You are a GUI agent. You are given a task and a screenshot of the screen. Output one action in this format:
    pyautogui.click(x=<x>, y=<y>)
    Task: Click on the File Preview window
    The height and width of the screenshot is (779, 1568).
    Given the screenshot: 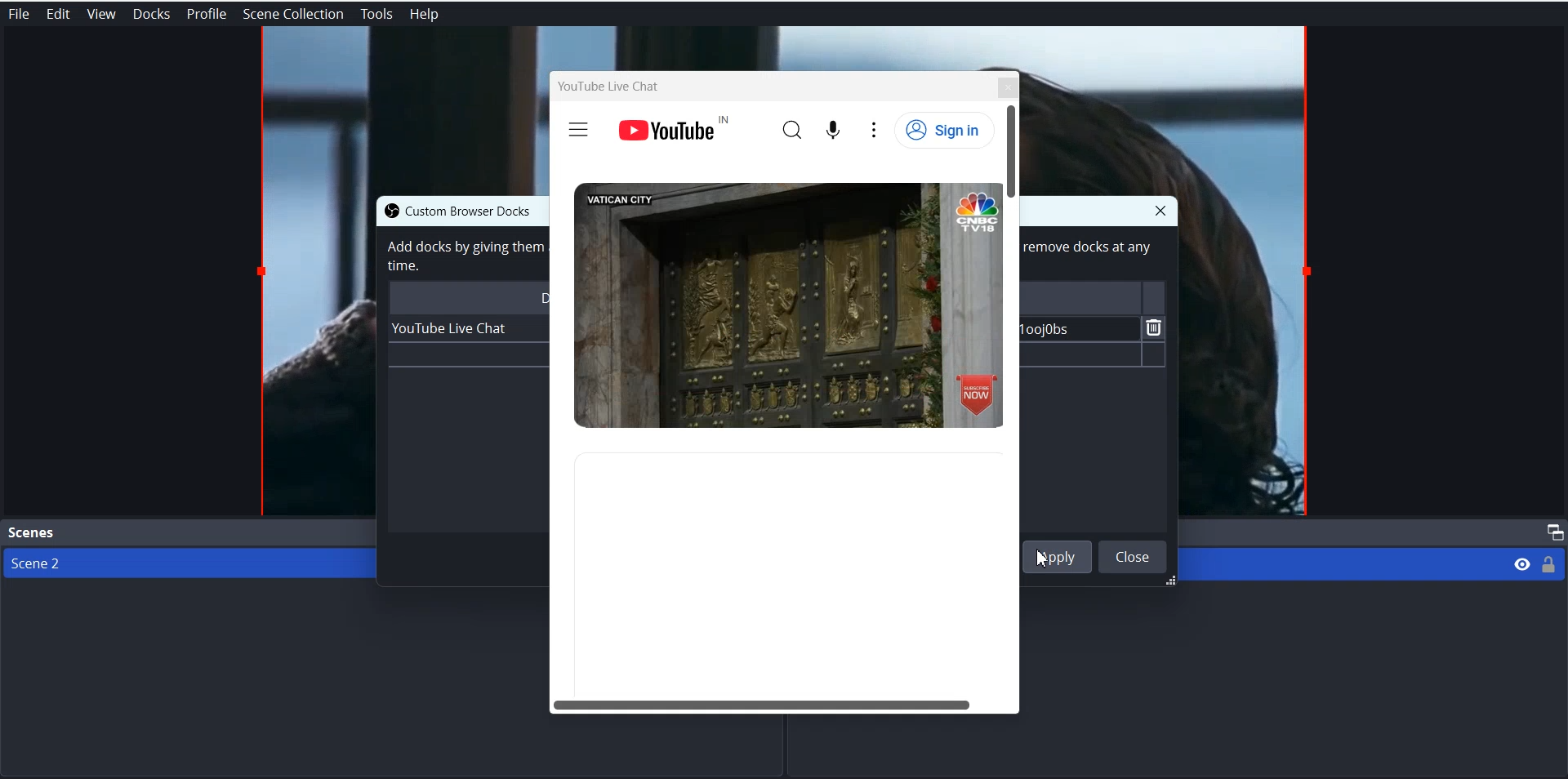 What is the action you would take?
    pyautogui.click(x=786, y=46)
    